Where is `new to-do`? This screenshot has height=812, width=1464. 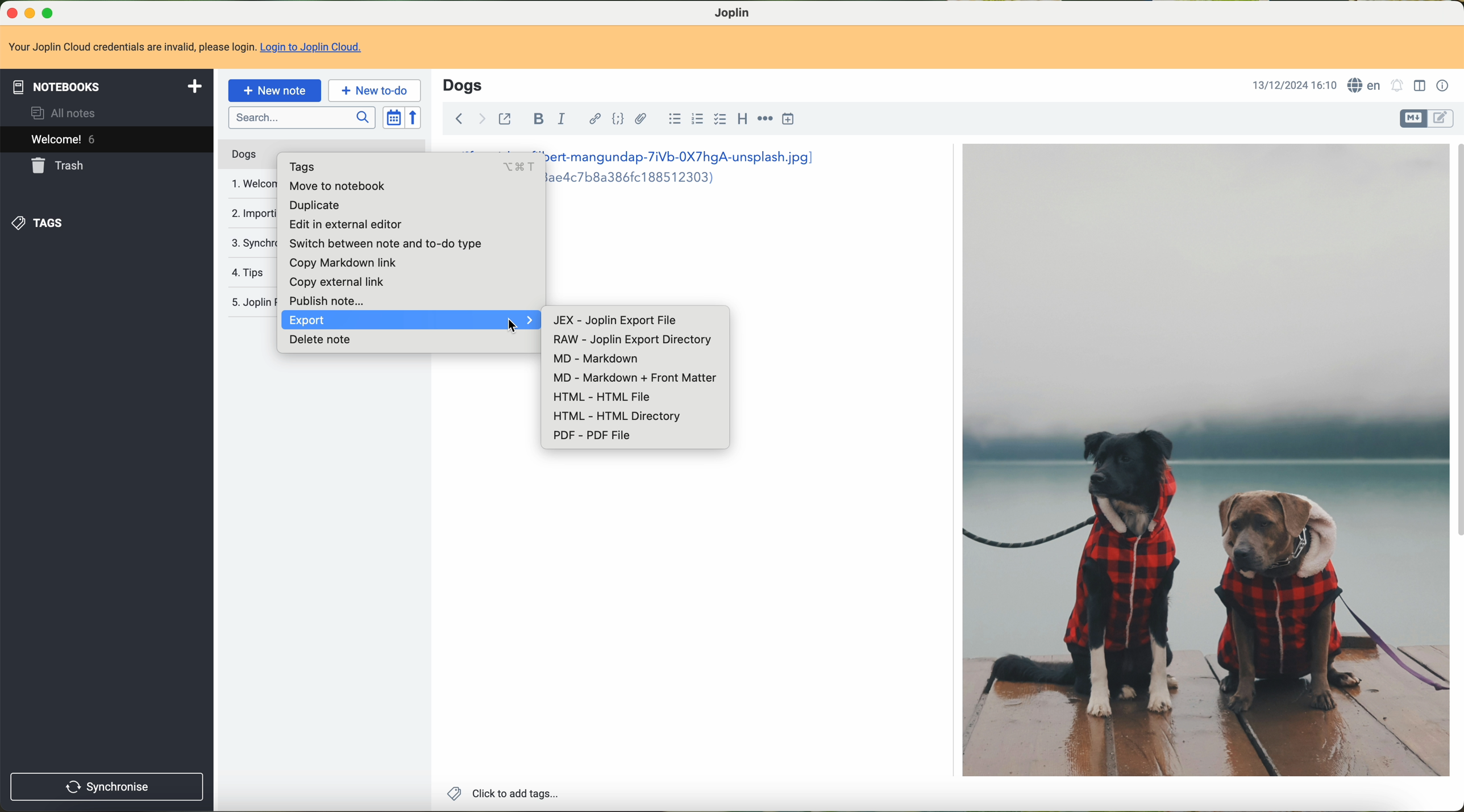 new to-do is located at coordinates (375, 91).